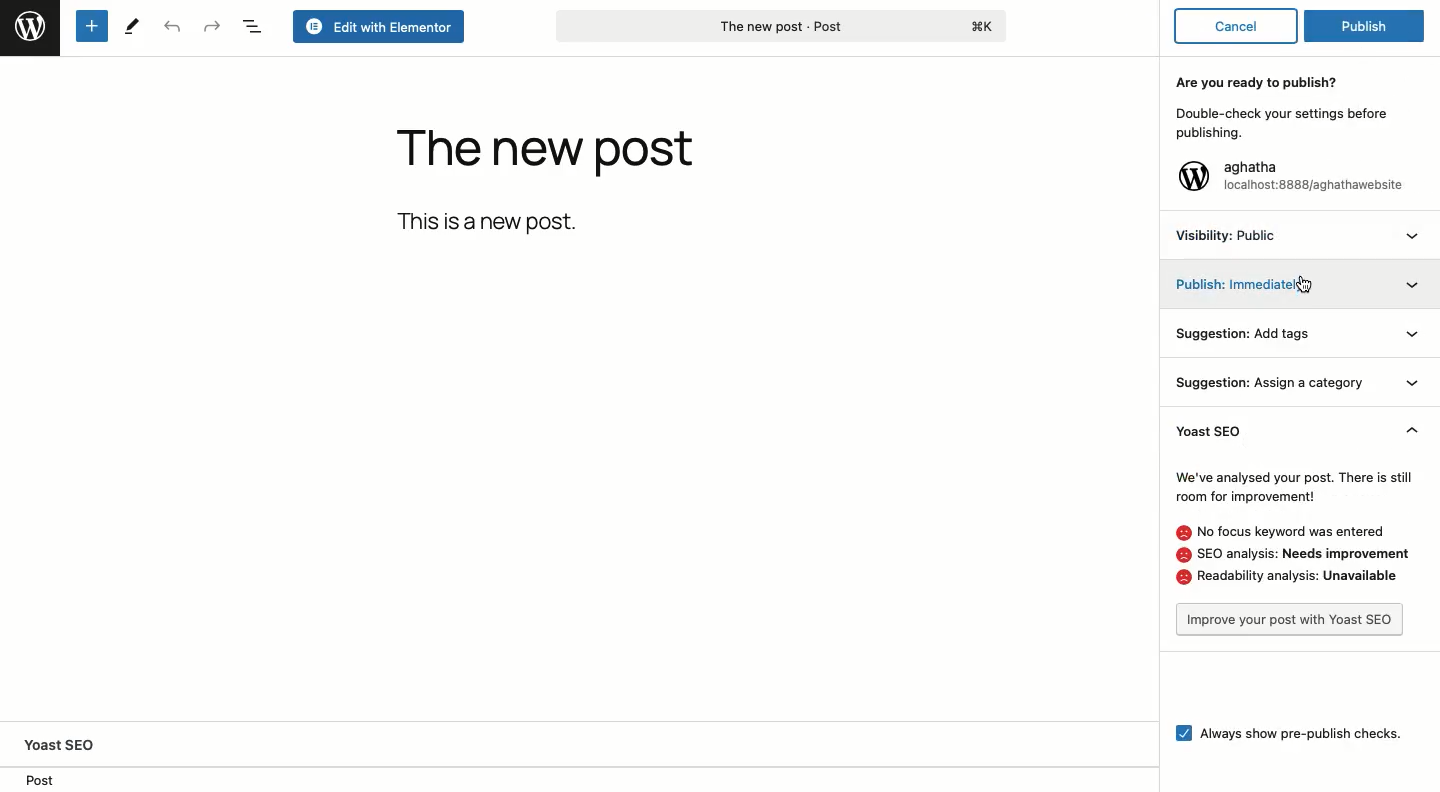 The height and width of the screenshot is (792, 1440). What do you see at coordinates (1267, 384) in the screenshot?
I see `Suggestion: Assign a category` at bounding box center [1267, 384].